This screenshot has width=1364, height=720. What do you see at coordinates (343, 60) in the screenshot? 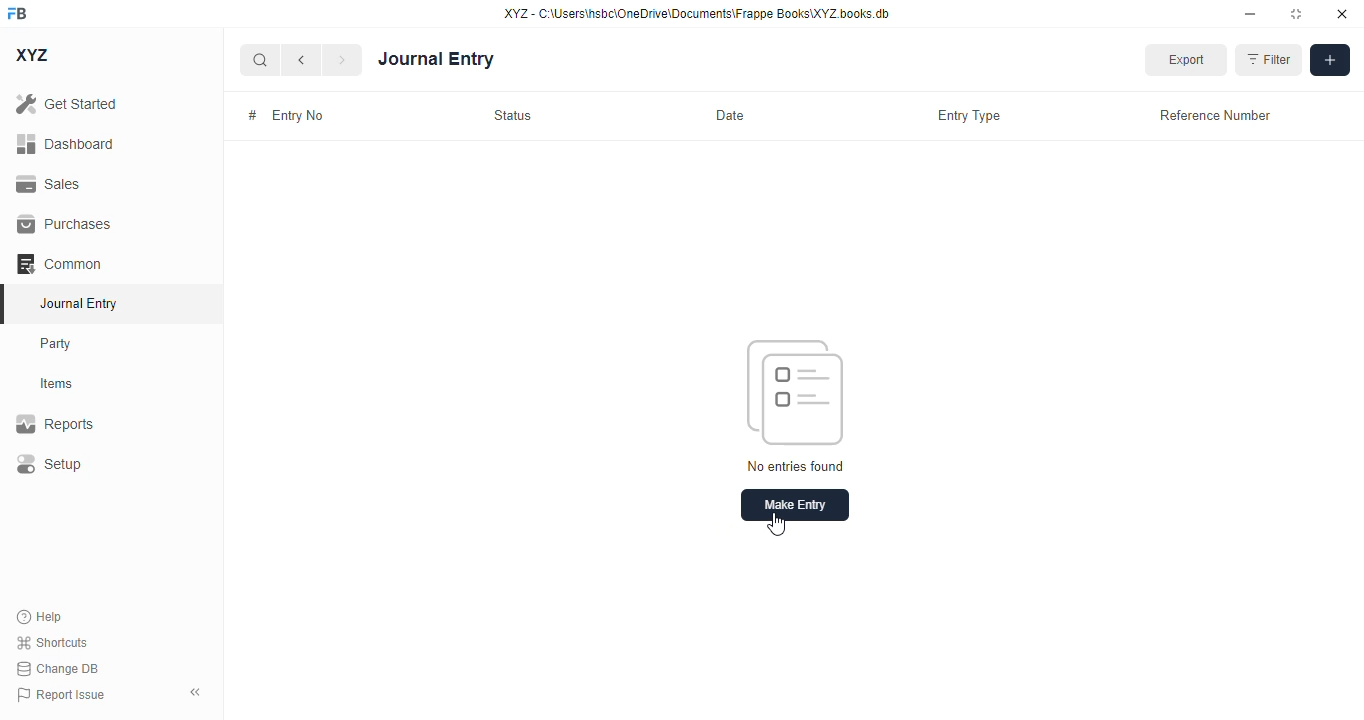
I see `next` at bounding box center [343, 60].